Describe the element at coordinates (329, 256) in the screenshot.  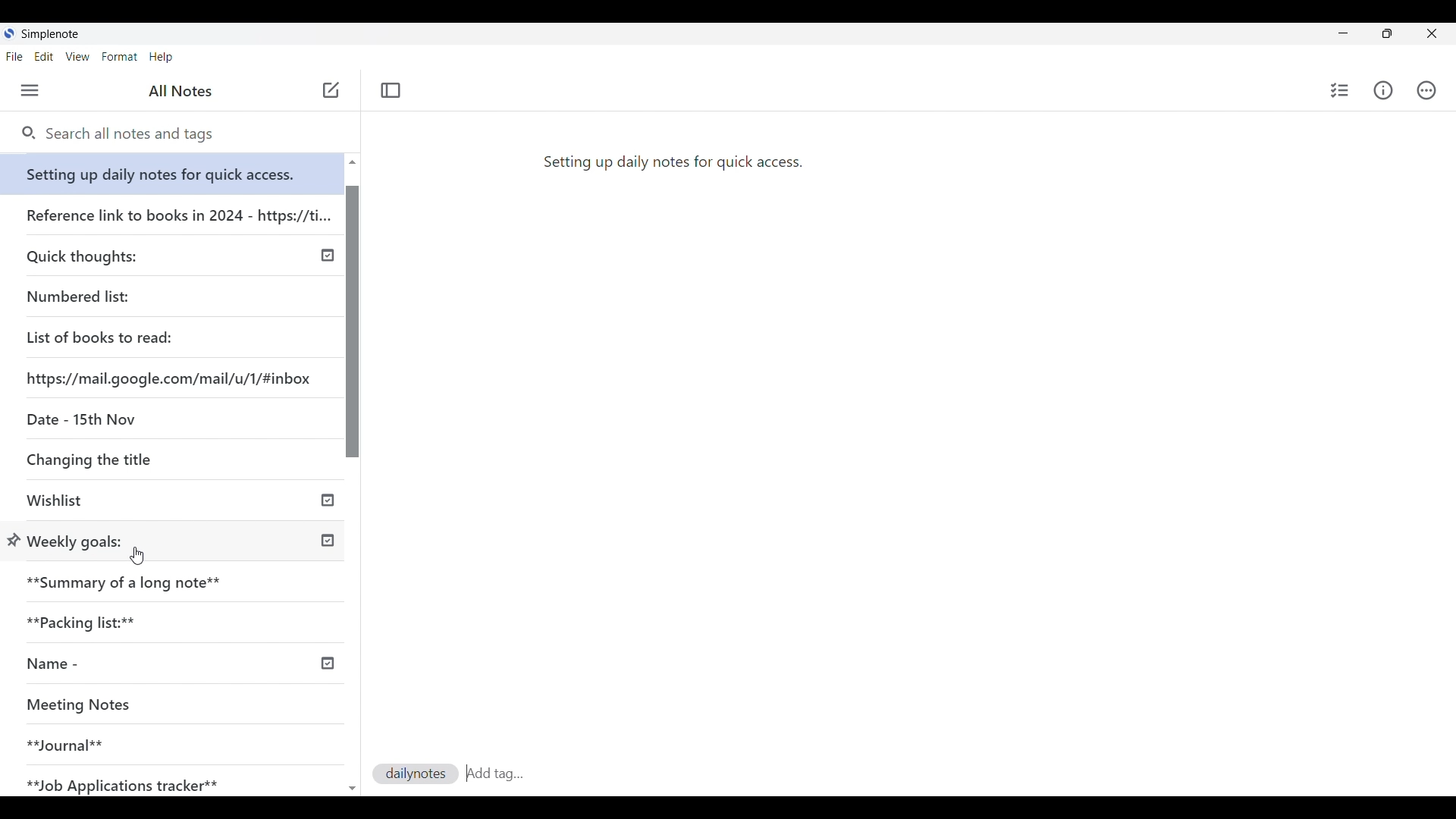
I see `published` at that location.